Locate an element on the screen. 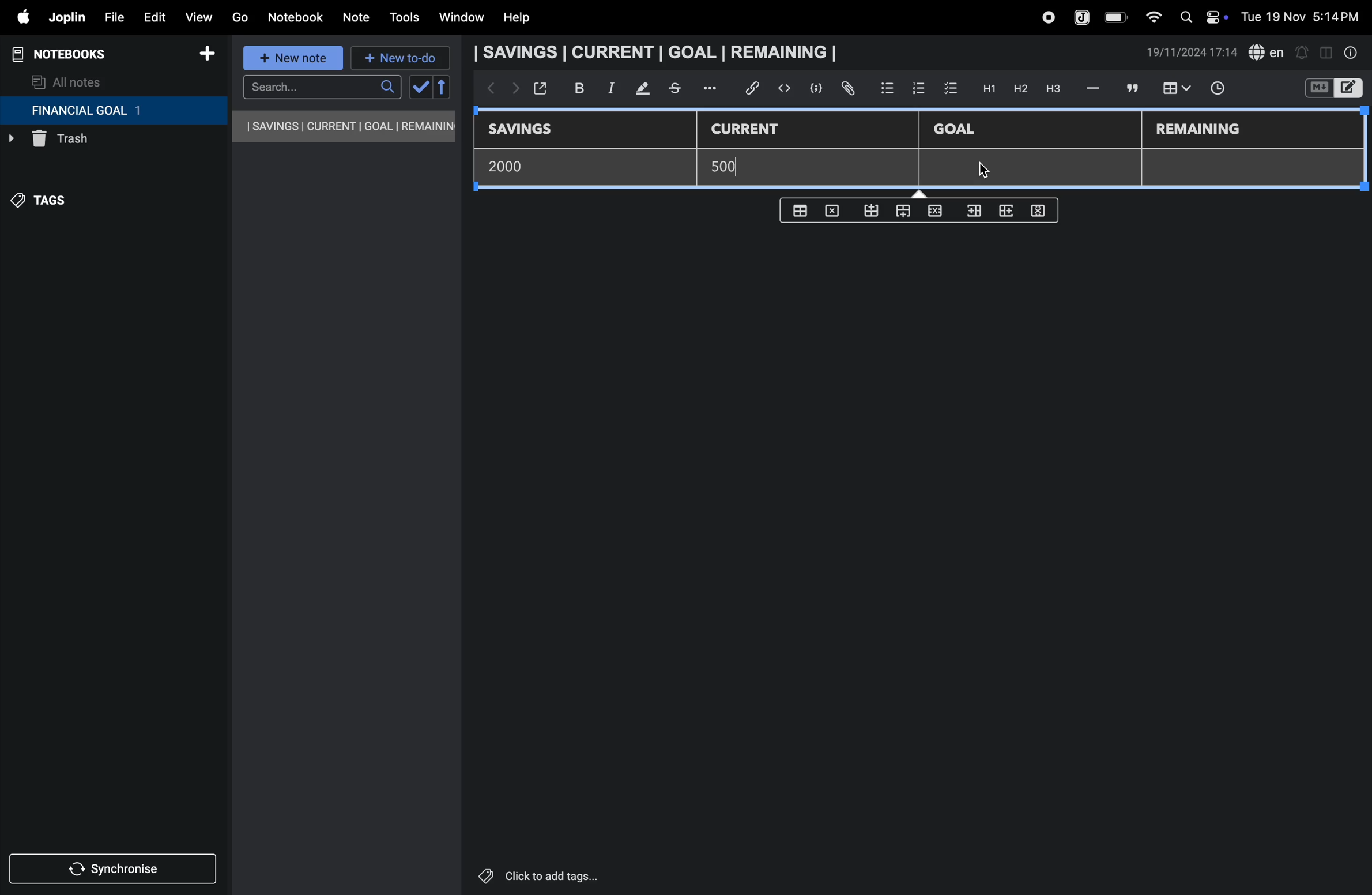 The width and height of the screenshot is (1372, 895). bold is located at coordinates (573, 88).